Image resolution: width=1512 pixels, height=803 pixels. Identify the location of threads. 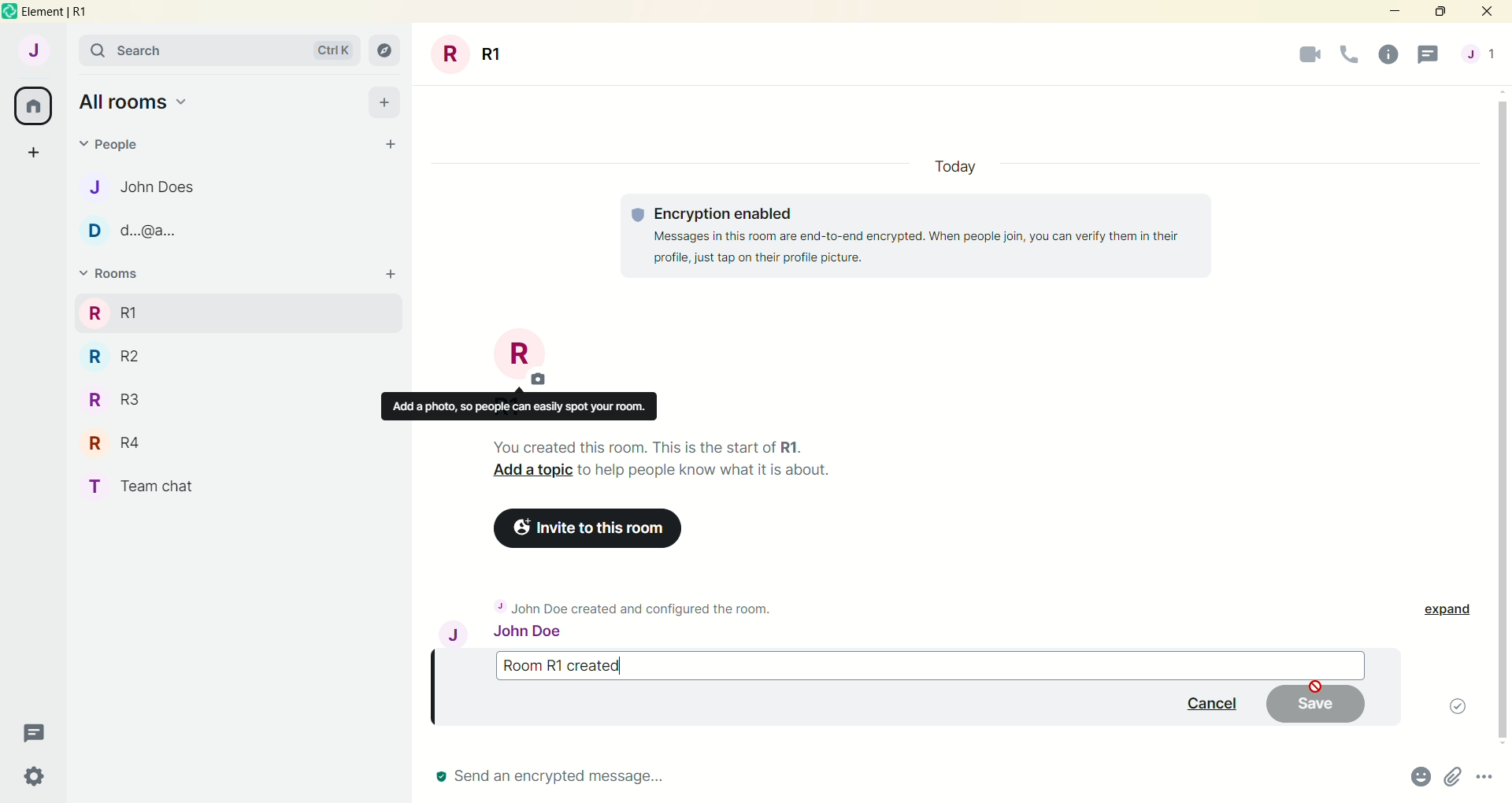
(1429, 55).